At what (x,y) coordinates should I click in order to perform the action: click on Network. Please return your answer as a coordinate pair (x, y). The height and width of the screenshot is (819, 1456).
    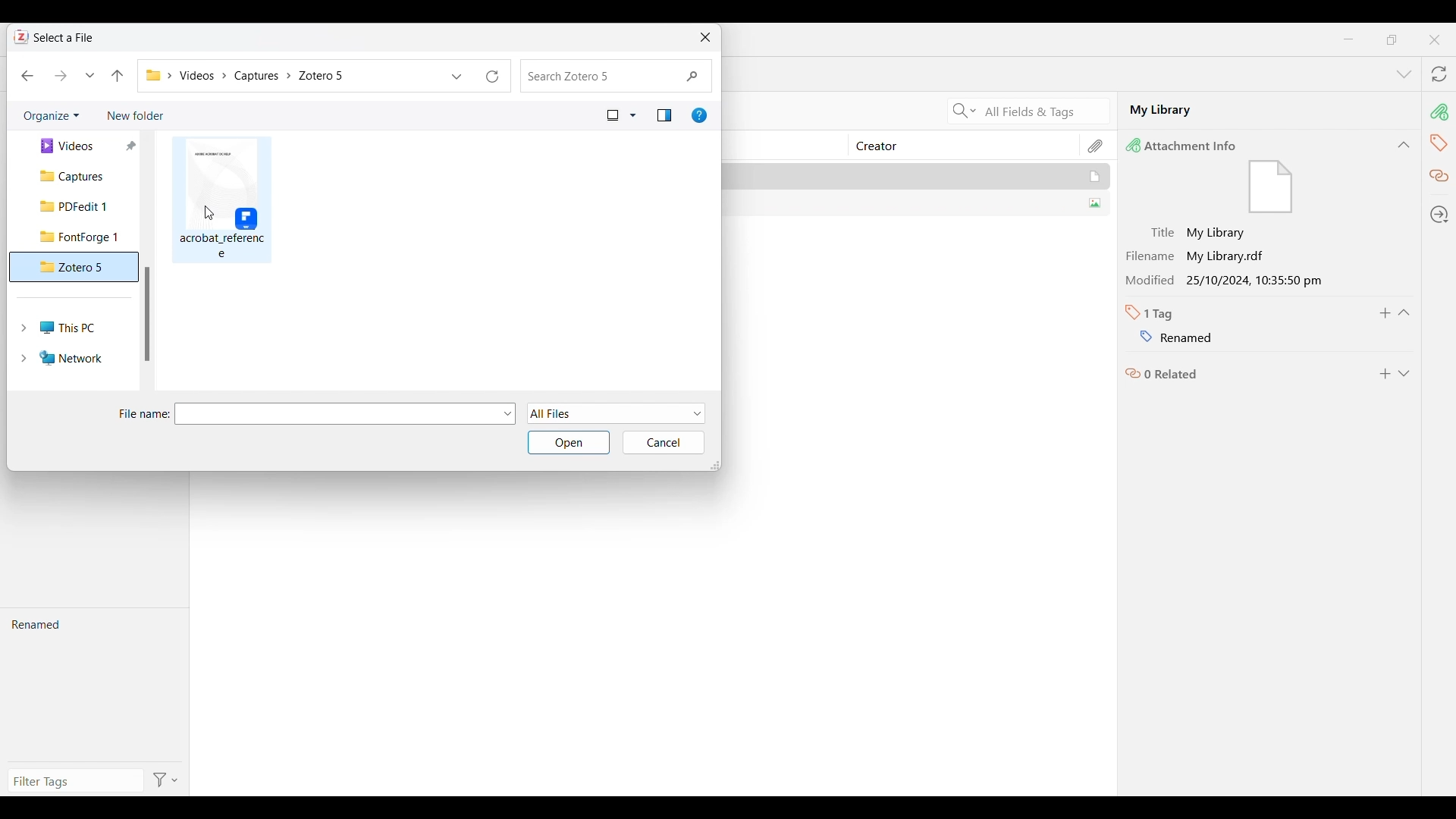
    Looking at the image, I should click on (72, 359).